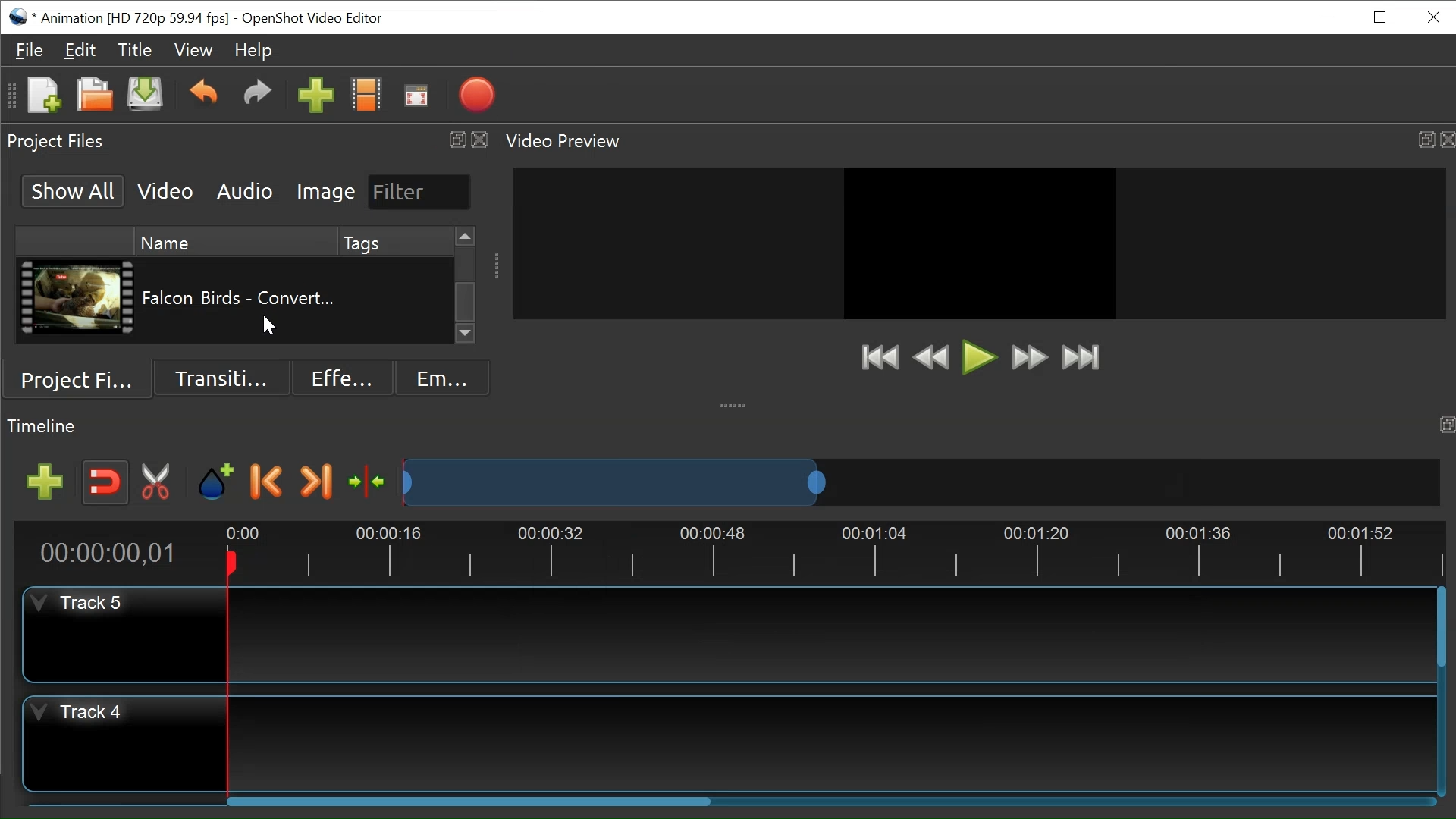  I want to click on Rewind, so click(935, 359).